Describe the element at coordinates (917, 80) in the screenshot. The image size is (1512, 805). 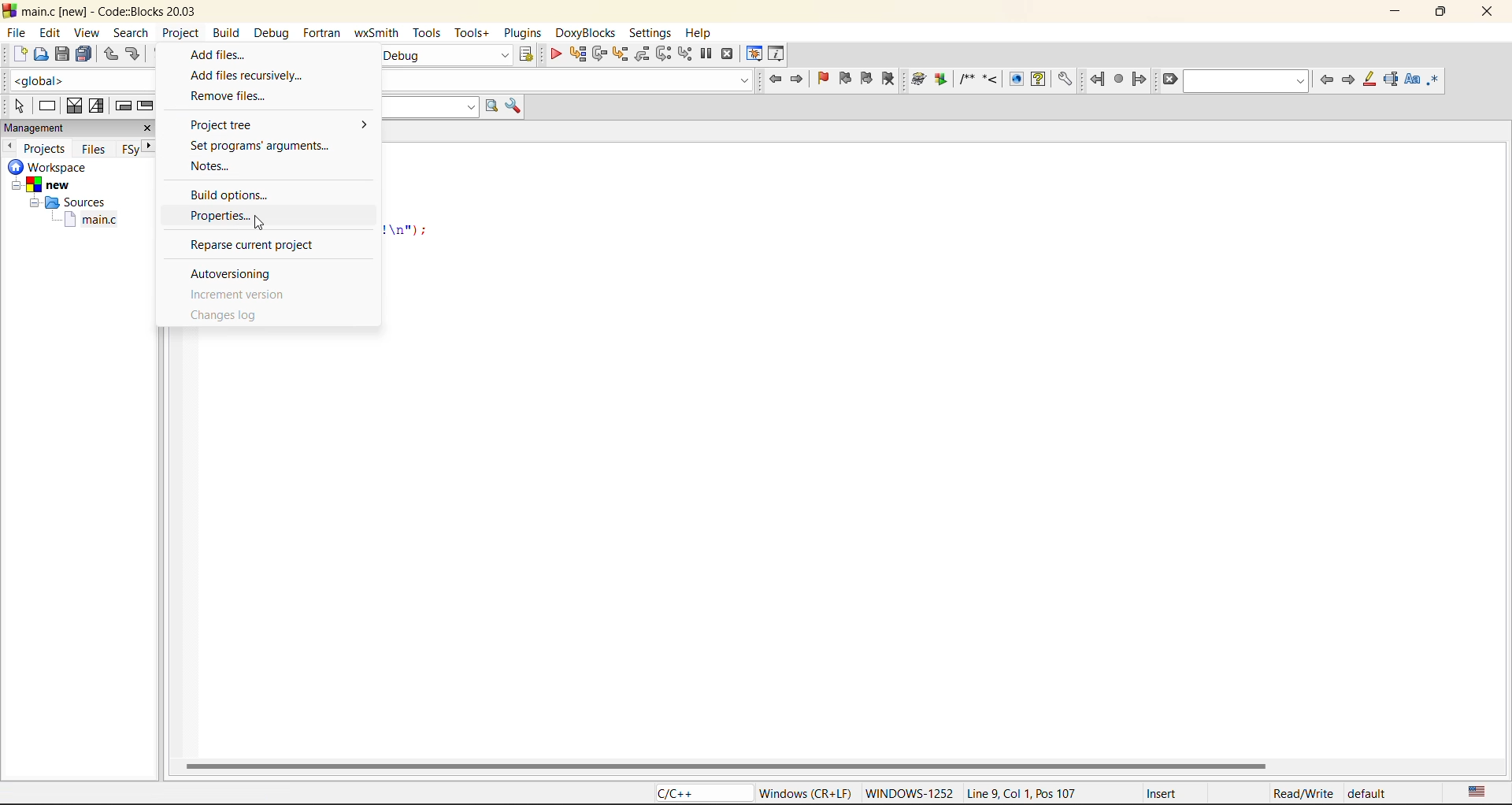
I see `Run doxywizard` at that location.